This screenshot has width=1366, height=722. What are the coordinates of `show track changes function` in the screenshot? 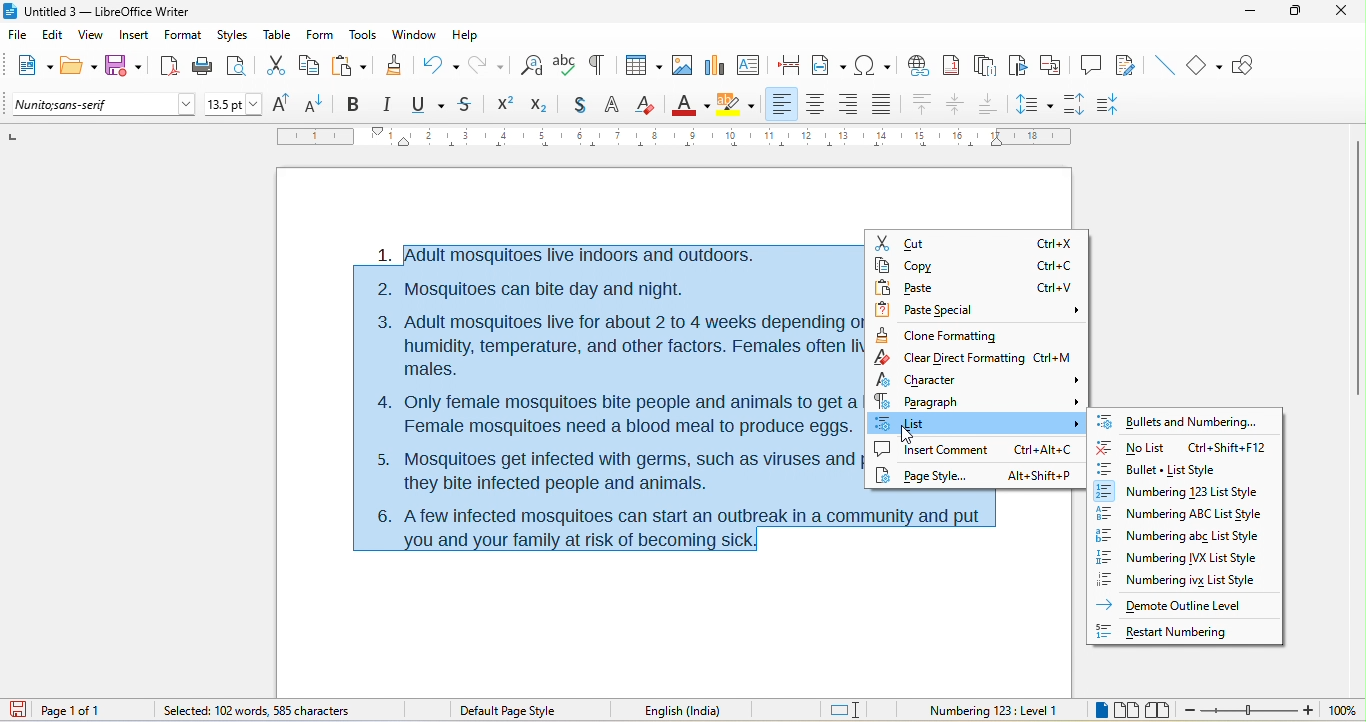 It's located at (1127, 64).